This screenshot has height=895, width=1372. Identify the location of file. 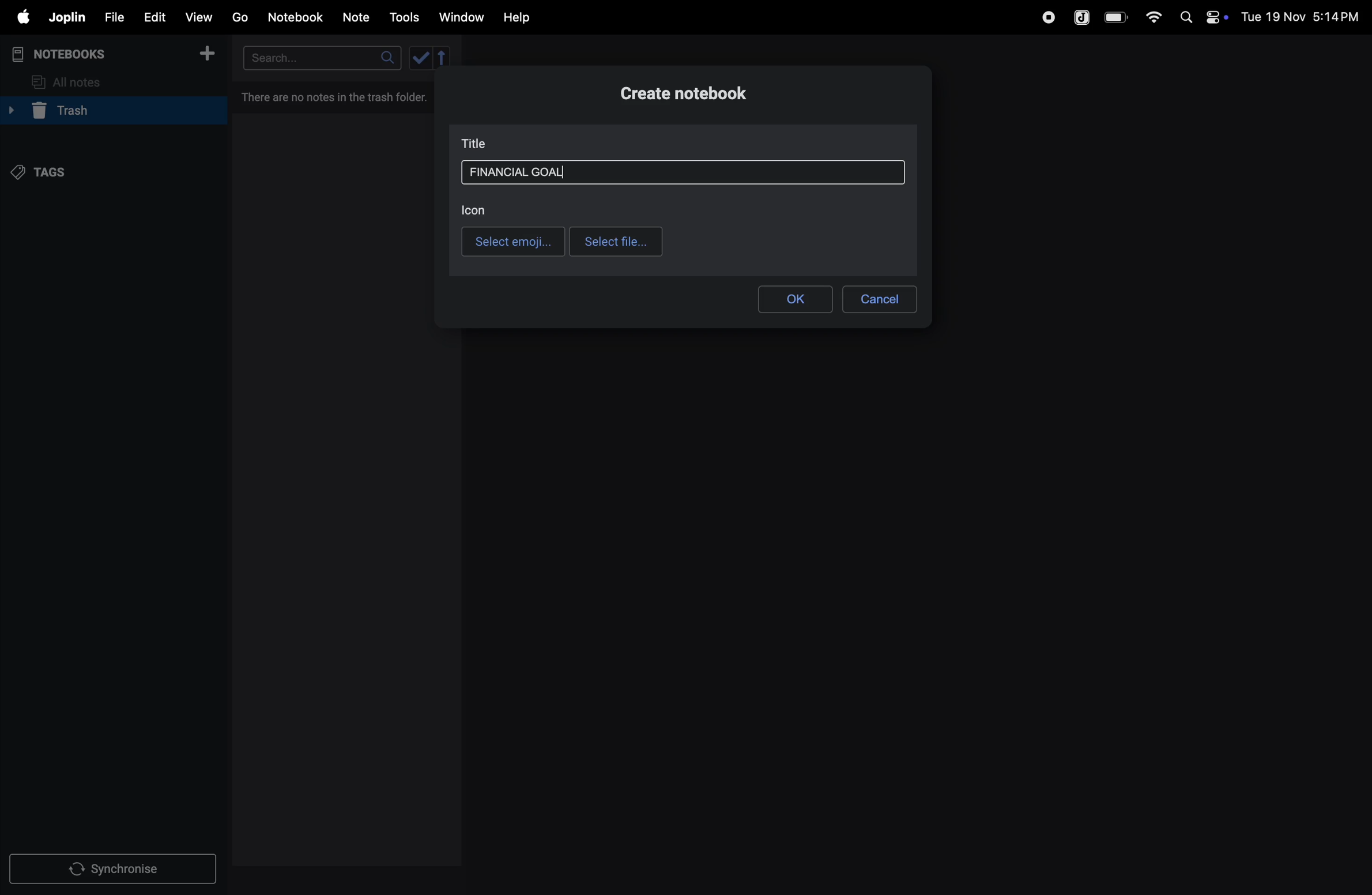
(110, 16).